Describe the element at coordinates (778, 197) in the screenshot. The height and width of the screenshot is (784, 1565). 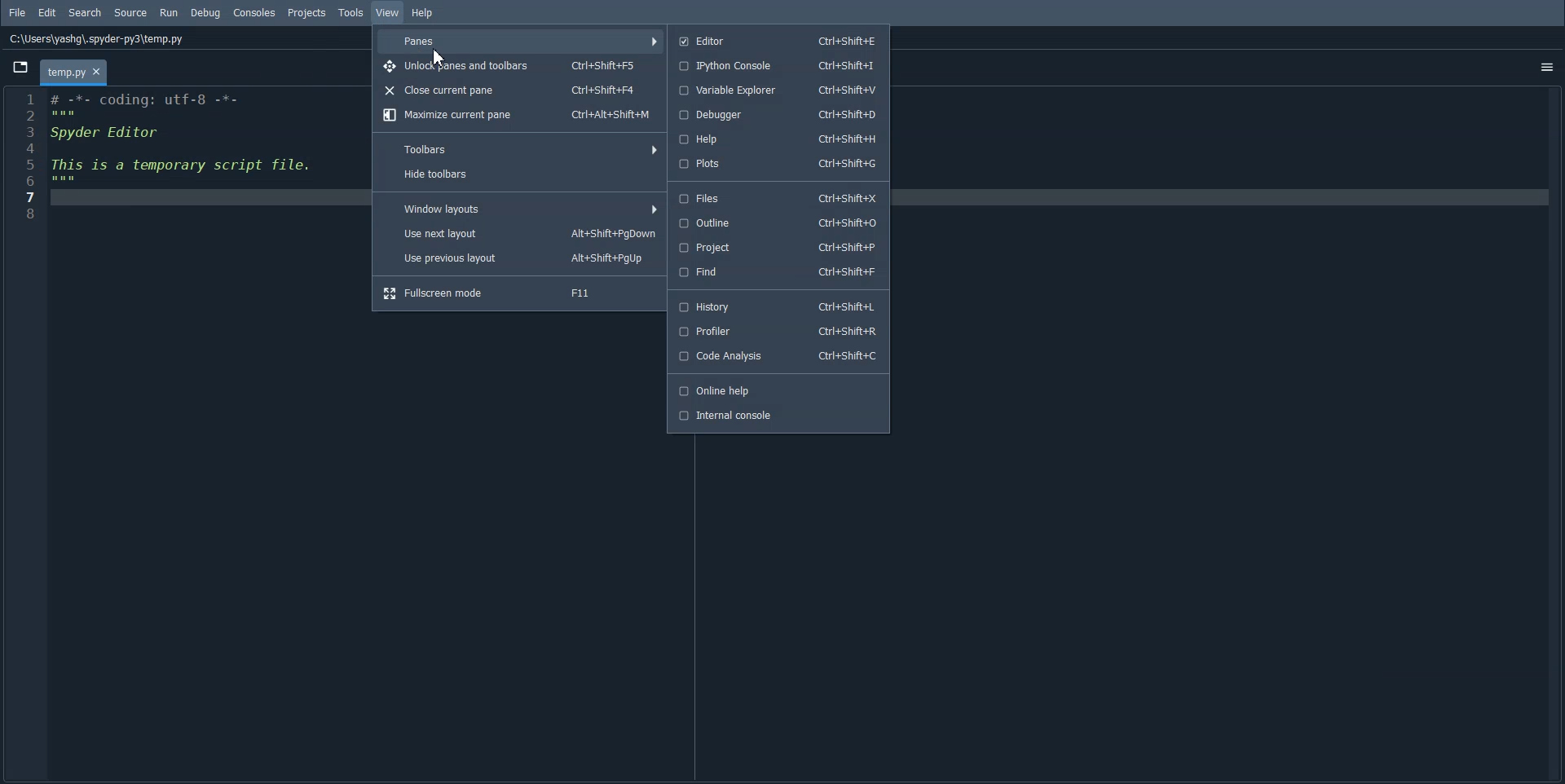
I see `Files` at that location.